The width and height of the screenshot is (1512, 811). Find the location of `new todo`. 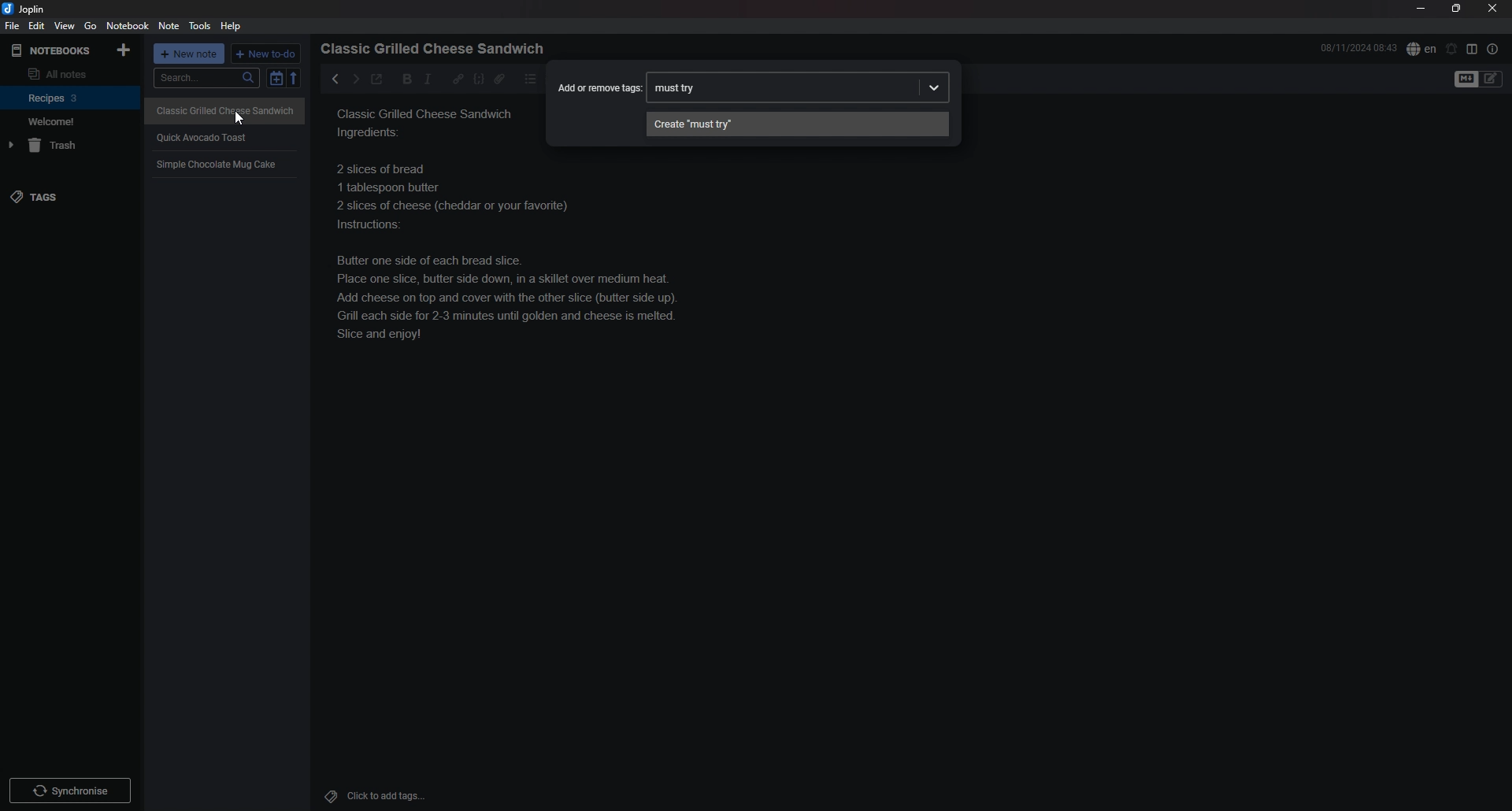

new todo is located at coordinates (267, 54).